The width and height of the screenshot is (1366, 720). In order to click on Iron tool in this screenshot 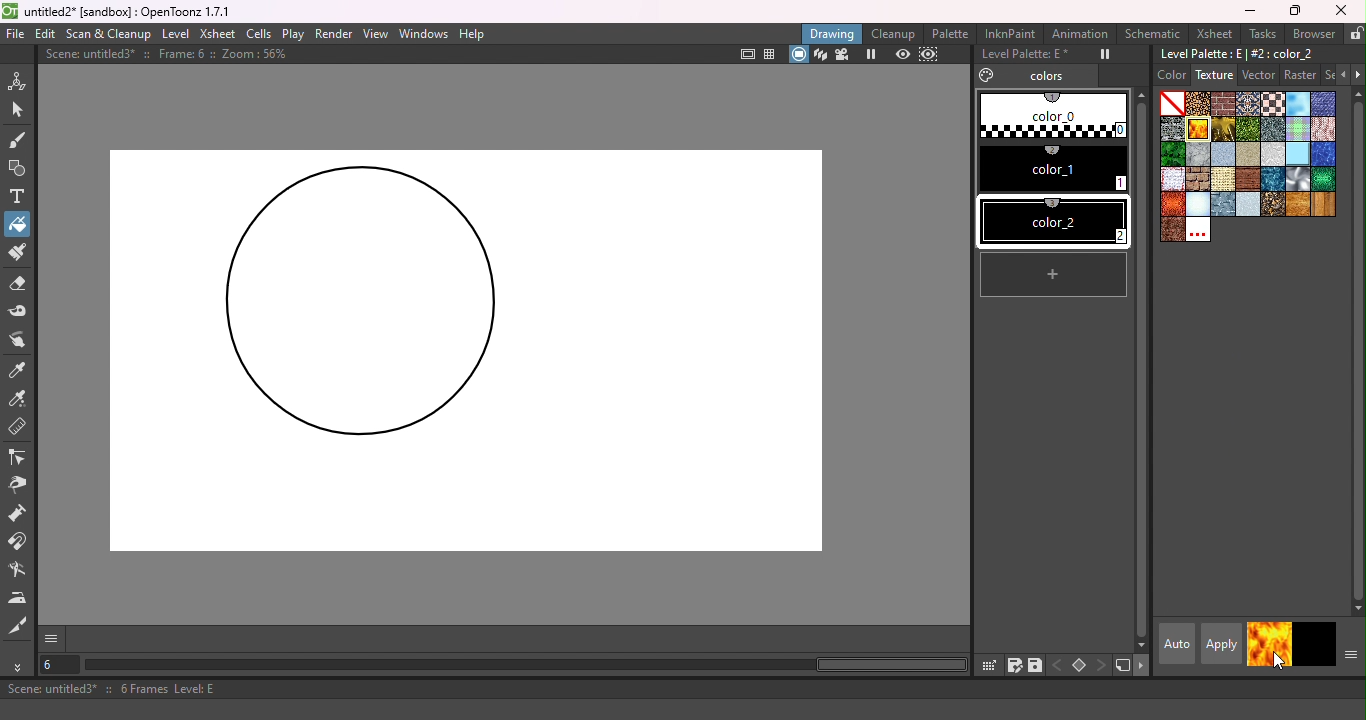, I will do `click(20, 598)`.